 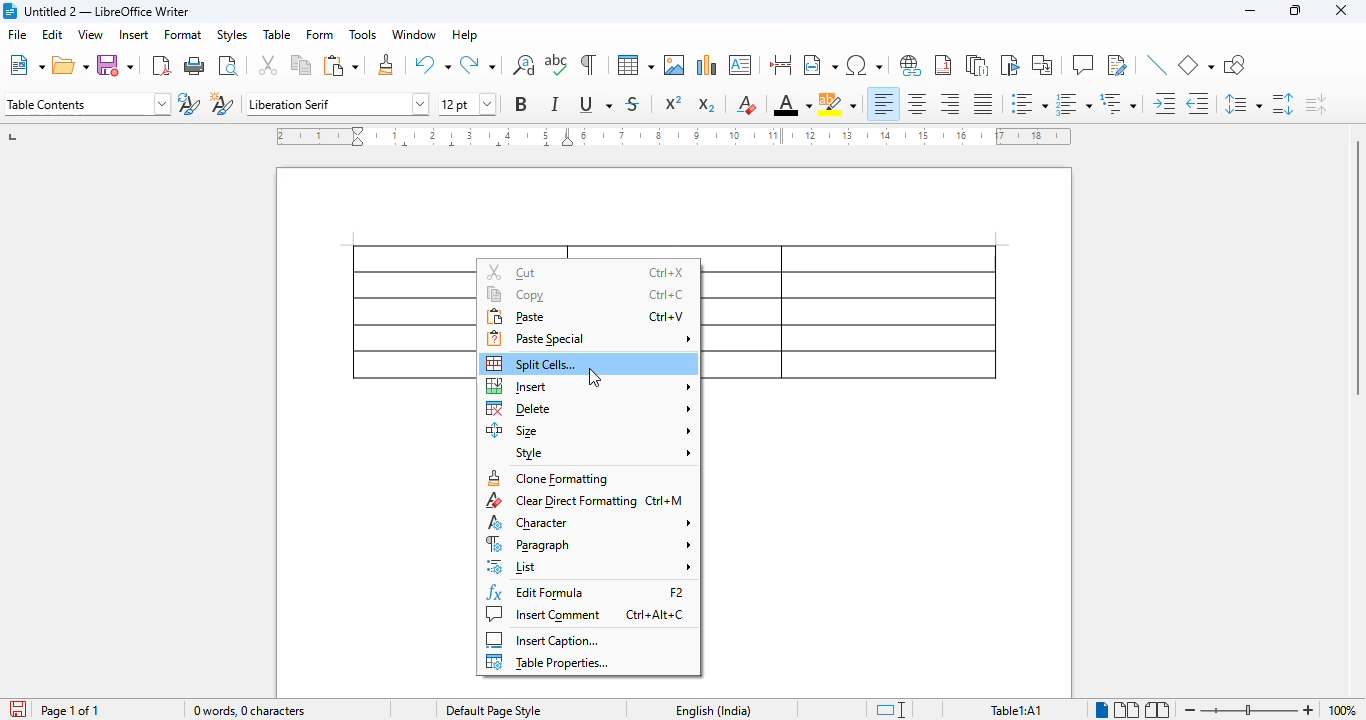 What do you see at coordinates (590, 408) in the screenshot?
I see `delete` at bounding box center [590, 408].